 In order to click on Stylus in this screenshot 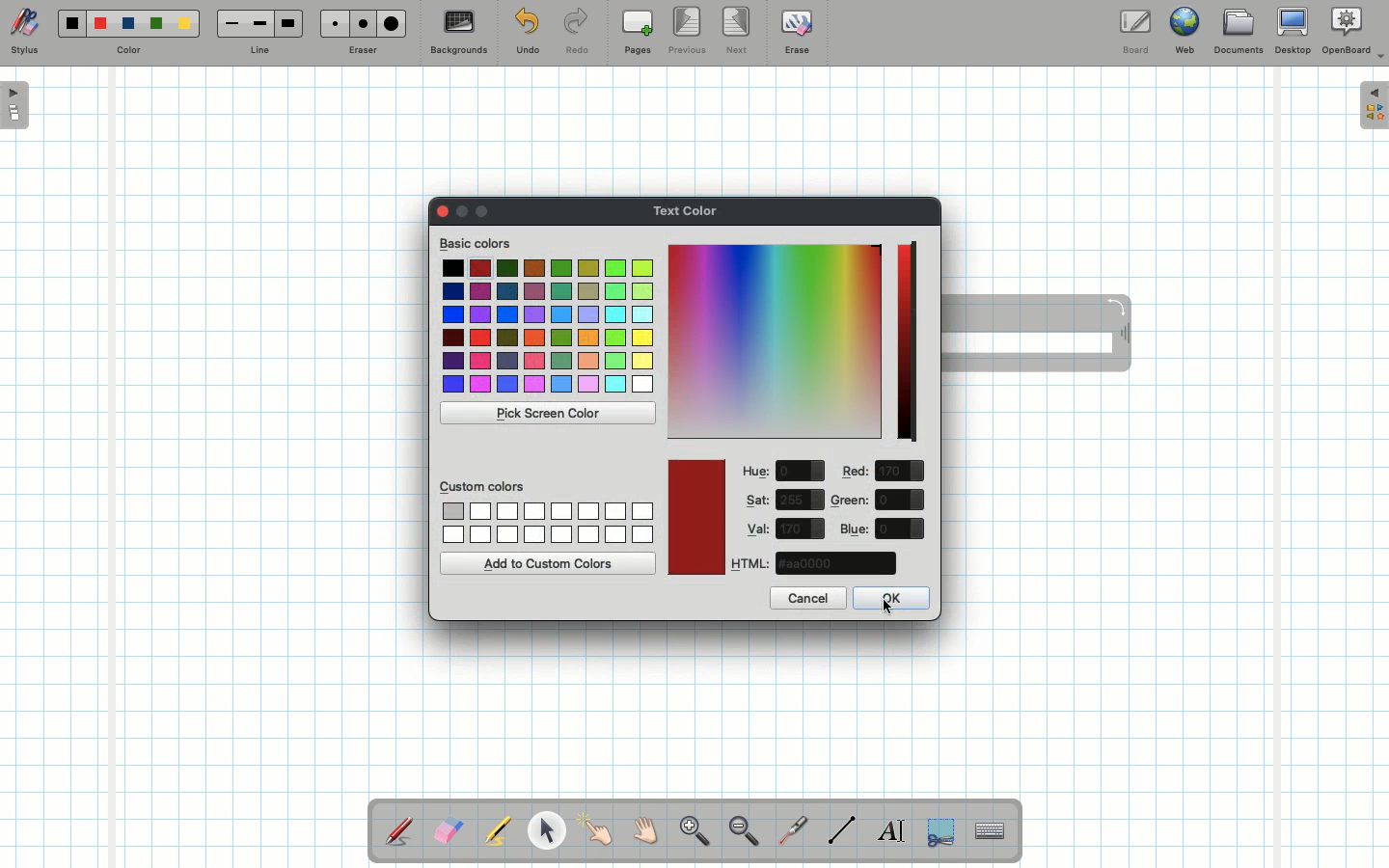, I will do `click(400, 830)`.